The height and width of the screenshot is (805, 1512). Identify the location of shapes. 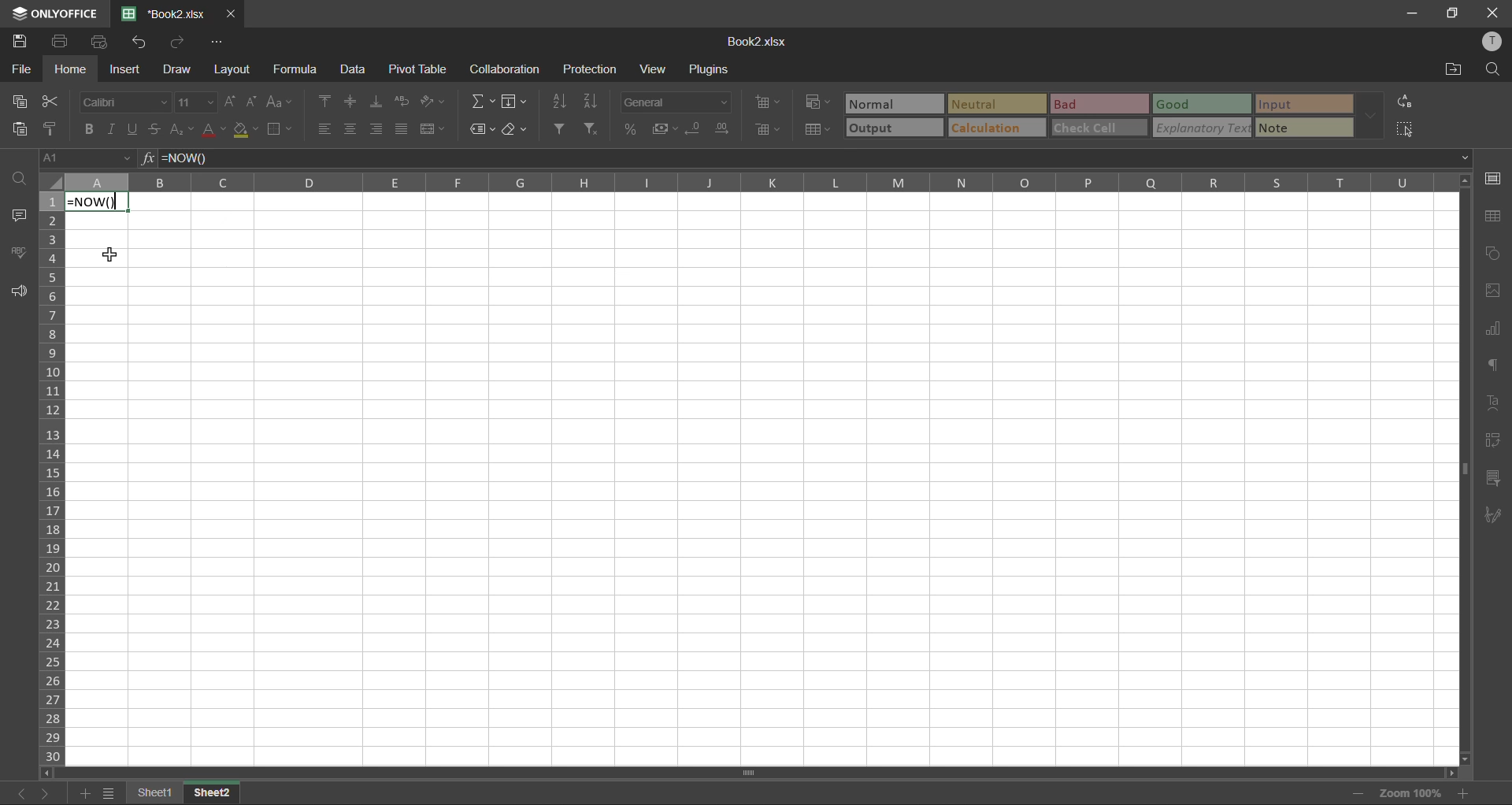
(1494, 254).